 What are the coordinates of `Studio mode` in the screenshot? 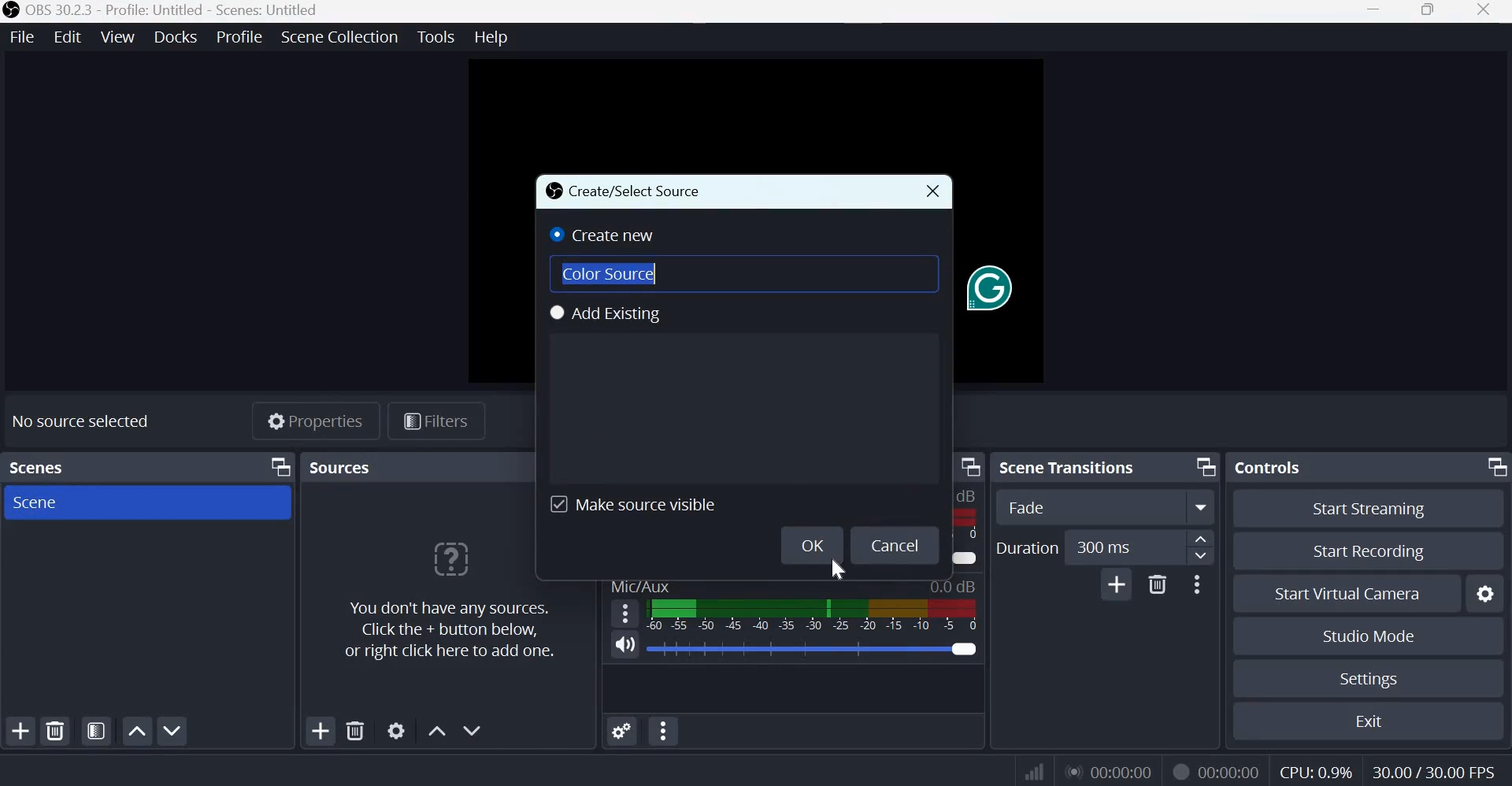 It's located at (1366, 636).